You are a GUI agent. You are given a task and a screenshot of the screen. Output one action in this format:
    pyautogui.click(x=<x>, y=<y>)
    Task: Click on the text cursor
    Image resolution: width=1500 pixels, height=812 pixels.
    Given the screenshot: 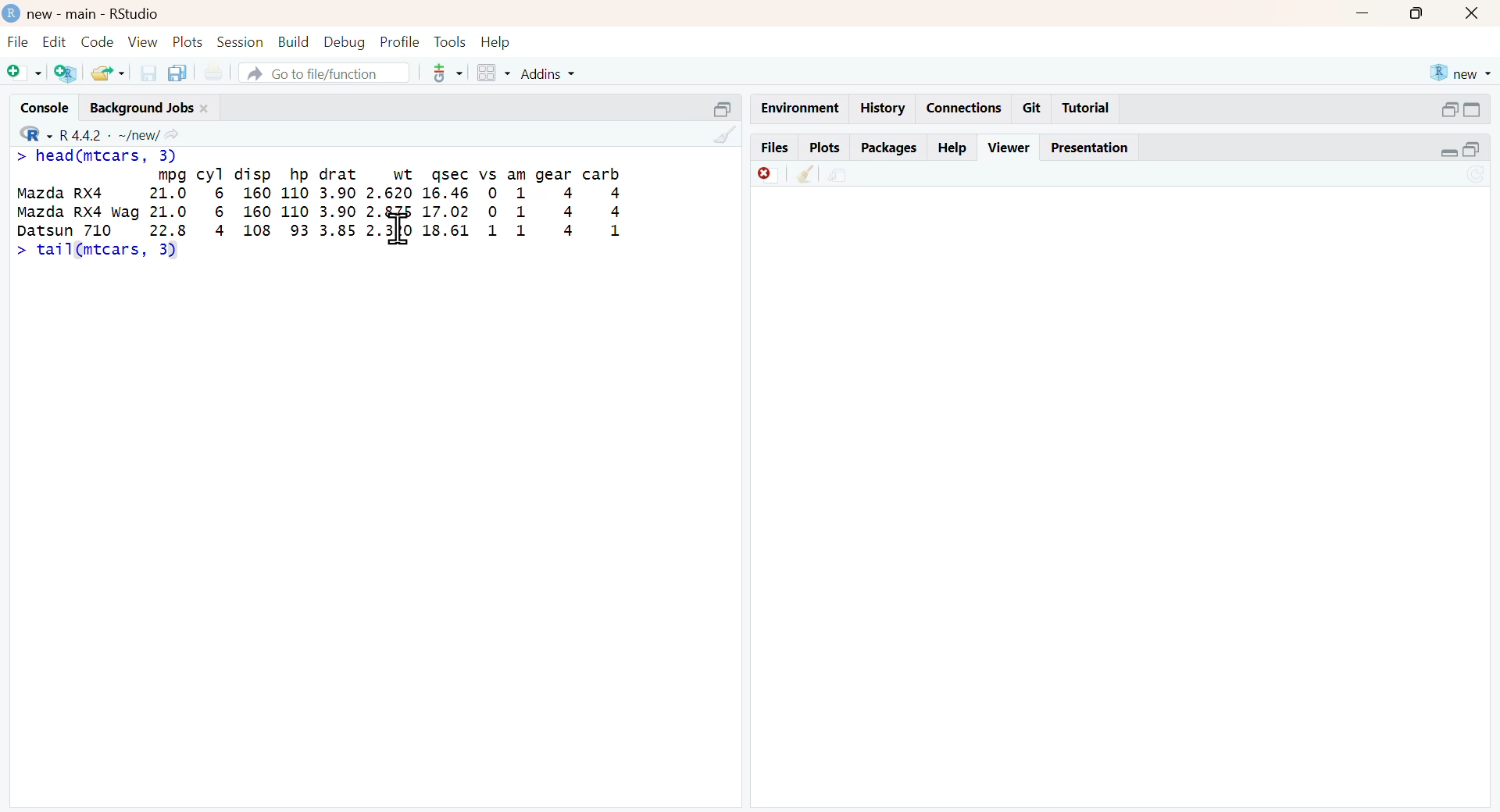 What is the action you would take?
    pyautogui.click(x=395, y=229)
    